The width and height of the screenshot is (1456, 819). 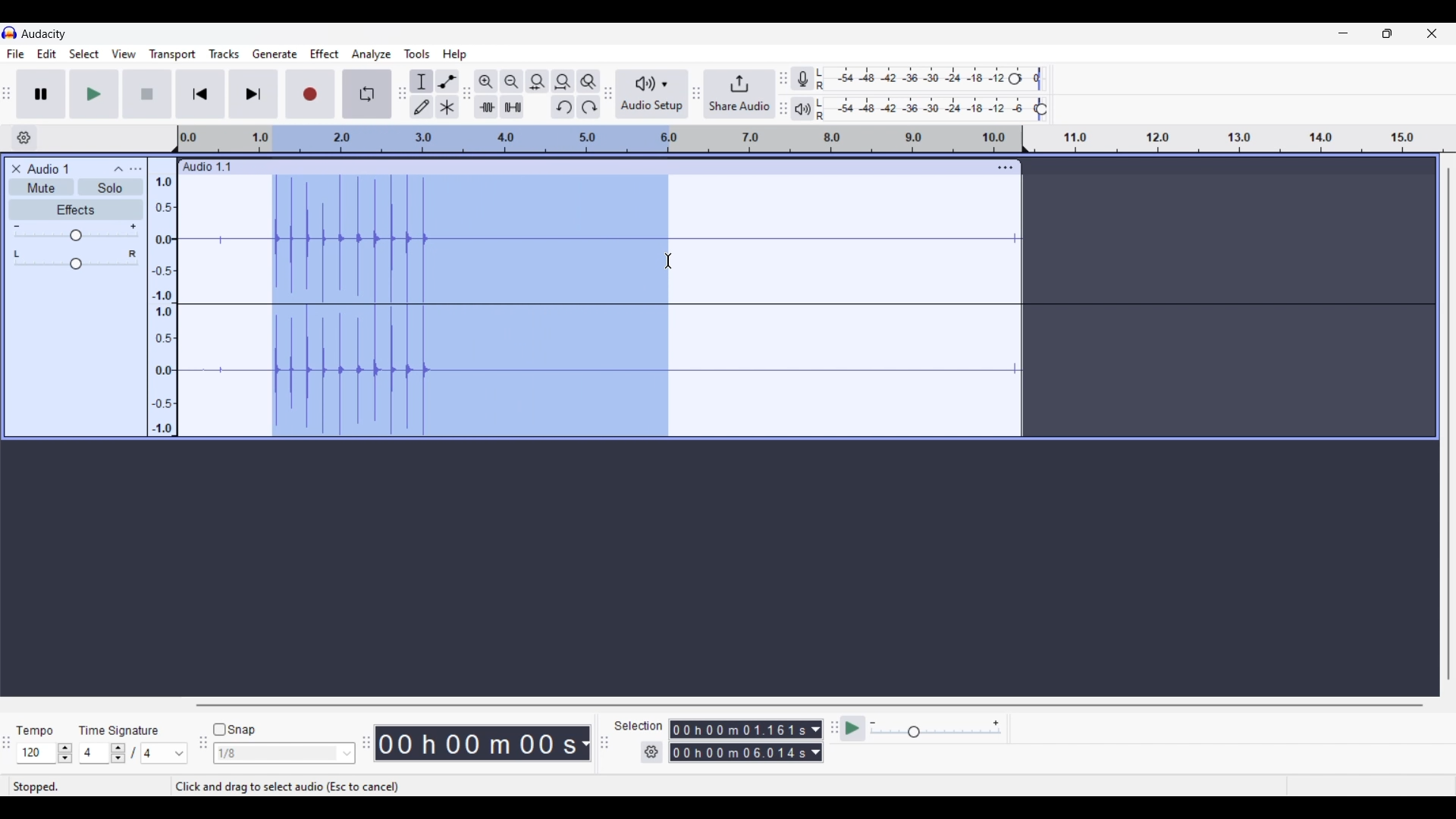 I want to click on File menu, so click(x=16, y=54).